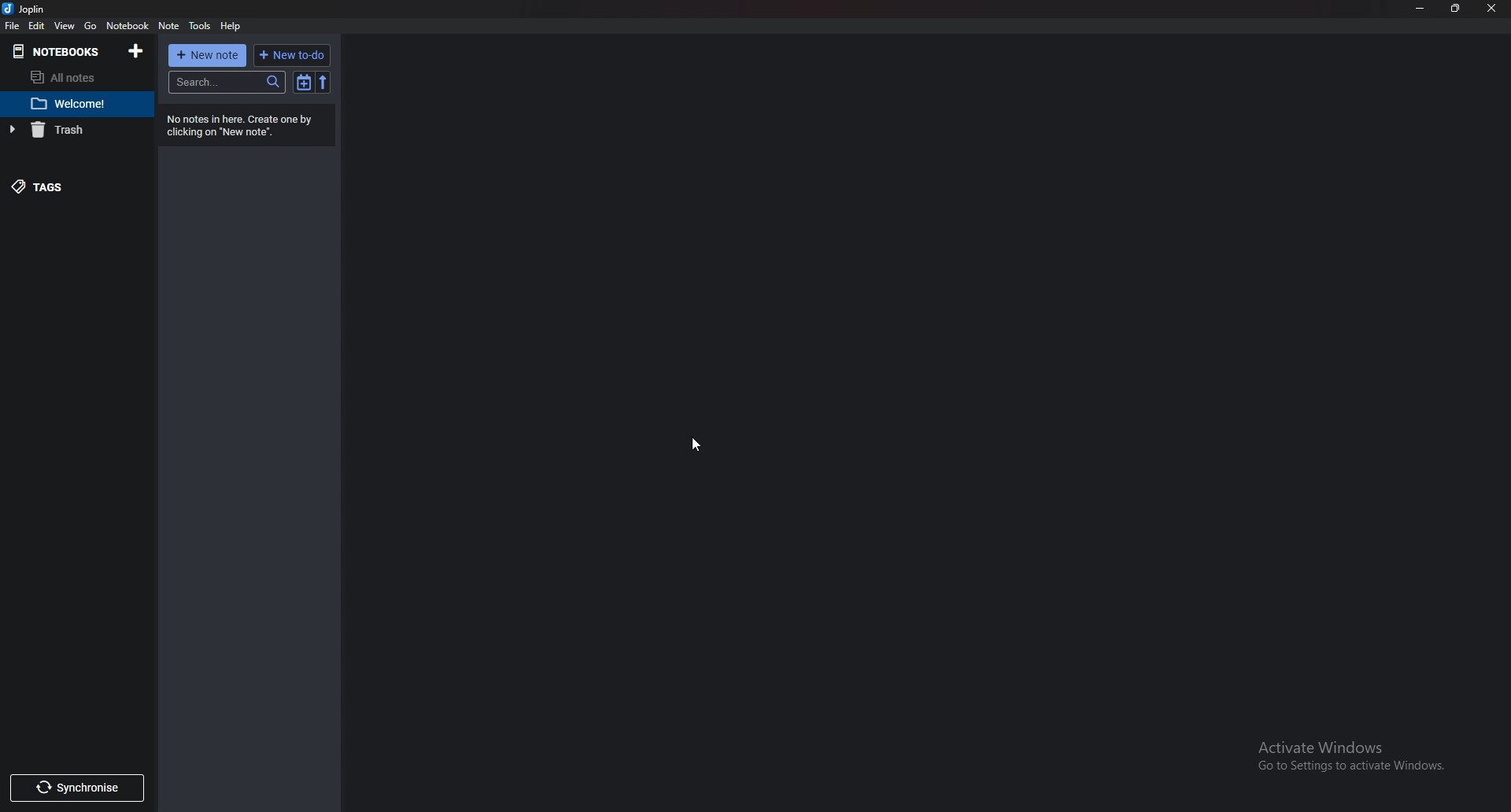 The width and height of the screenshot is (1511, 812). Describe the element at coordinates (66, 26) in the screenshot. I see `view` at that location.